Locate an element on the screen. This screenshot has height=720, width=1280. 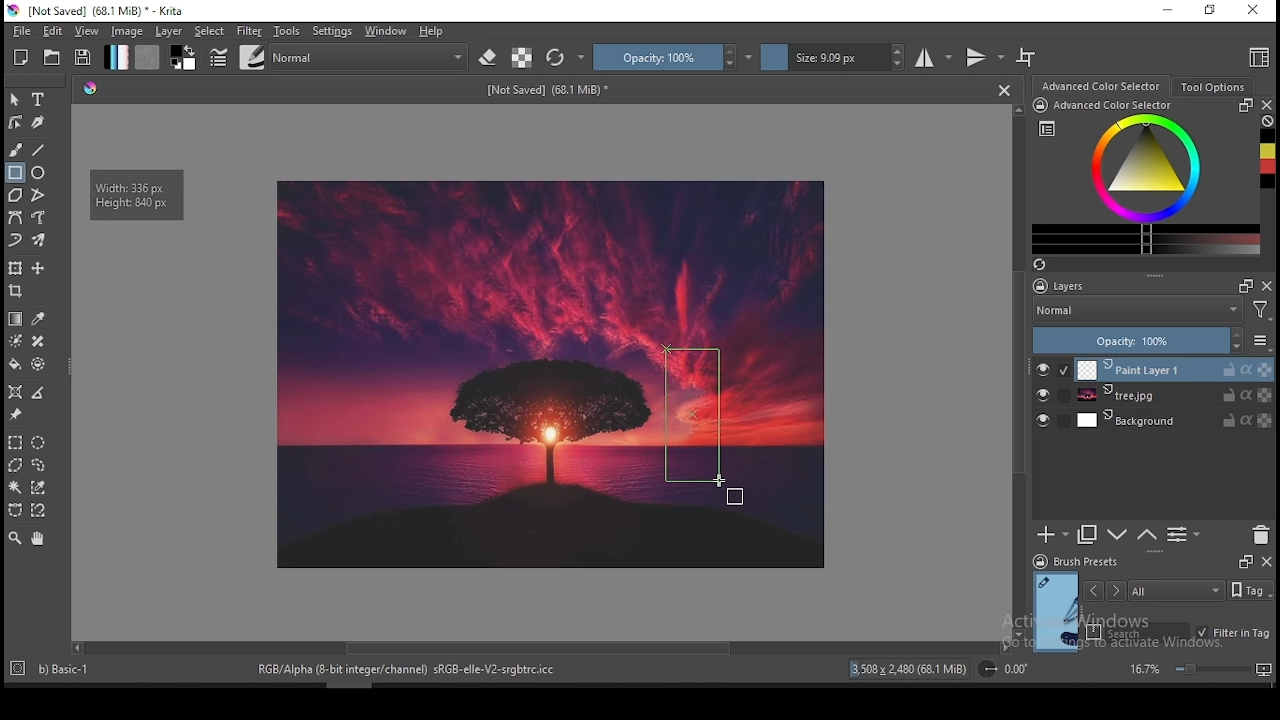
close window is located at coordinates (1252, 10).